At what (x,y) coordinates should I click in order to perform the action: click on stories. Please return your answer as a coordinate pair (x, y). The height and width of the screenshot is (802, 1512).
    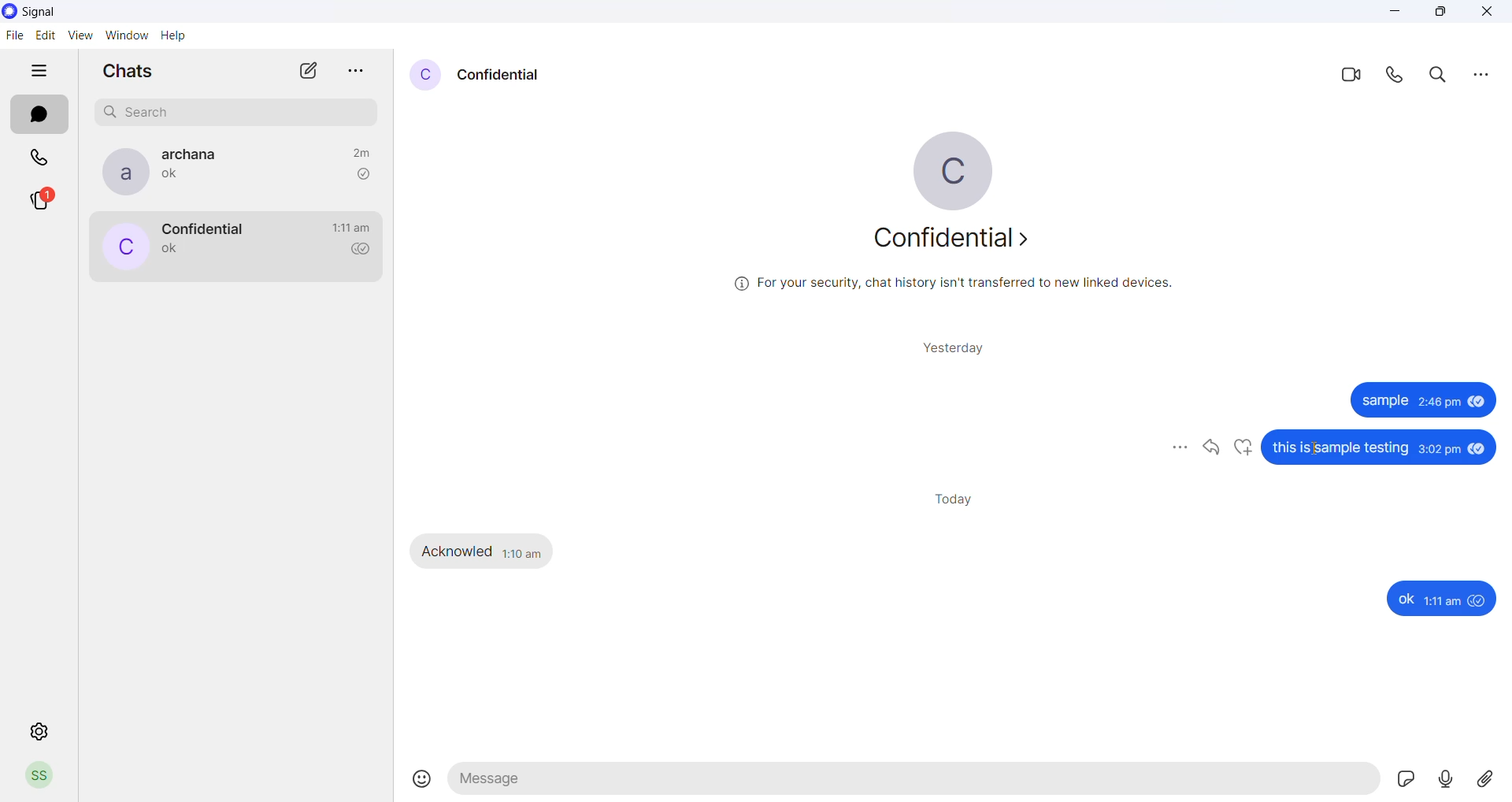
    Looking at the image, I should click on (50, 201).